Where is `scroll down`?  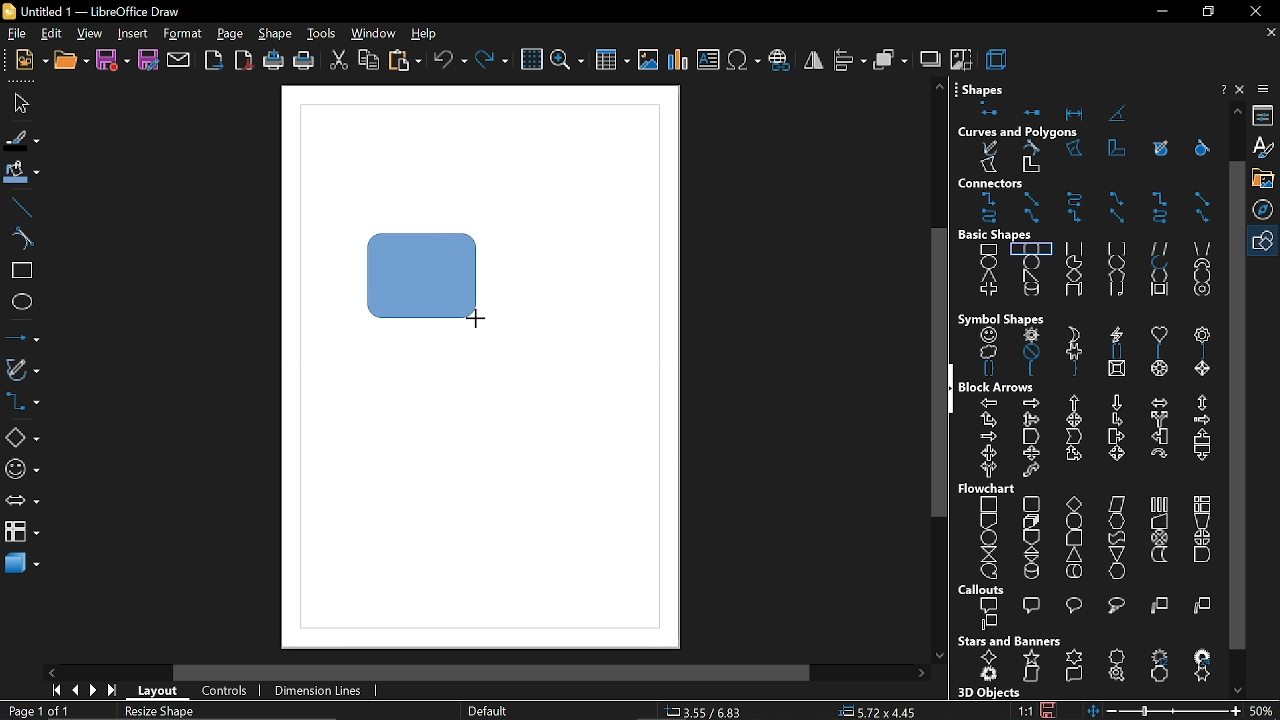
scroll down is located at coordinates (939, 651).